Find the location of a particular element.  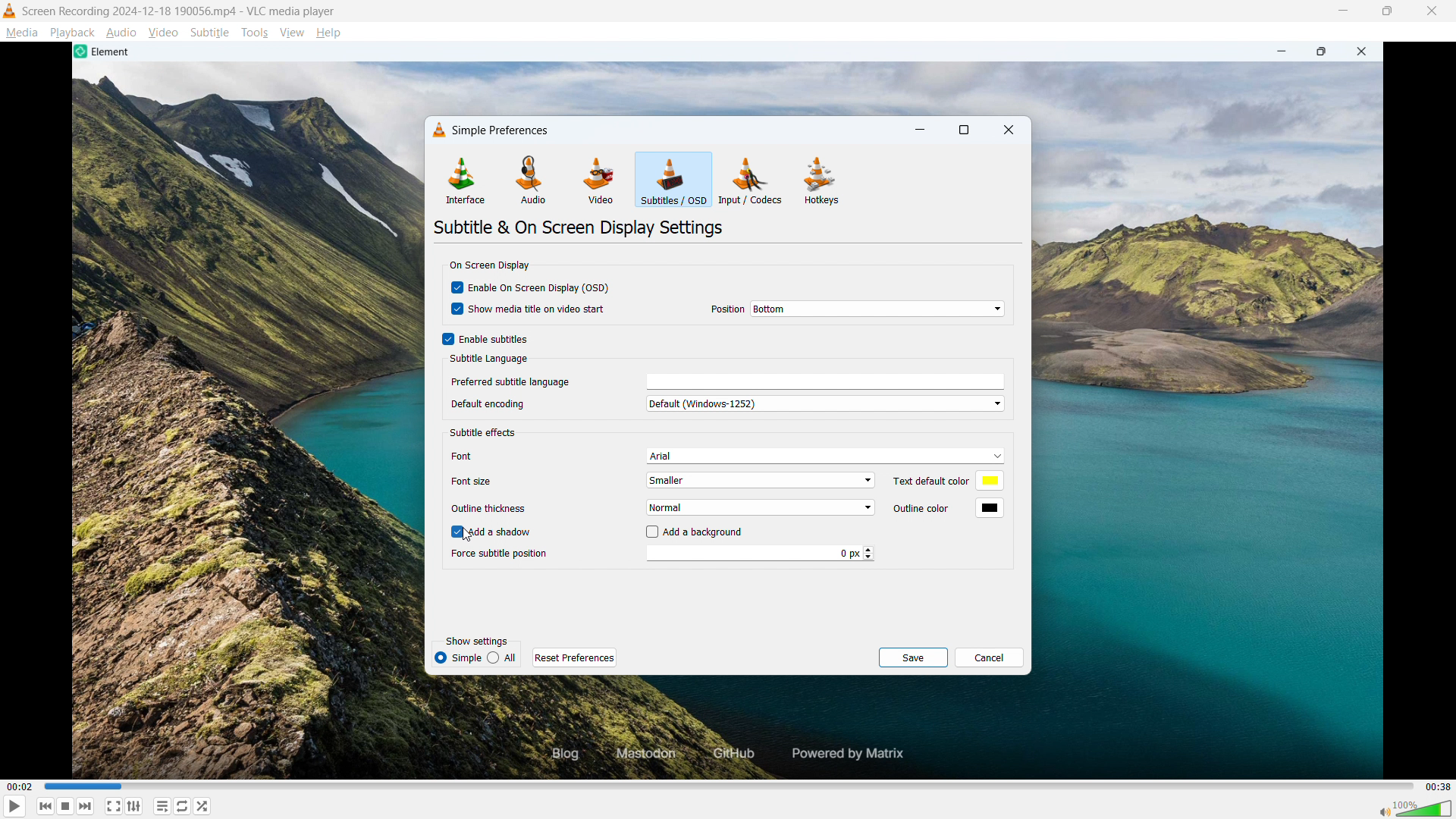

Audio  is located at coordinates (534, 180).